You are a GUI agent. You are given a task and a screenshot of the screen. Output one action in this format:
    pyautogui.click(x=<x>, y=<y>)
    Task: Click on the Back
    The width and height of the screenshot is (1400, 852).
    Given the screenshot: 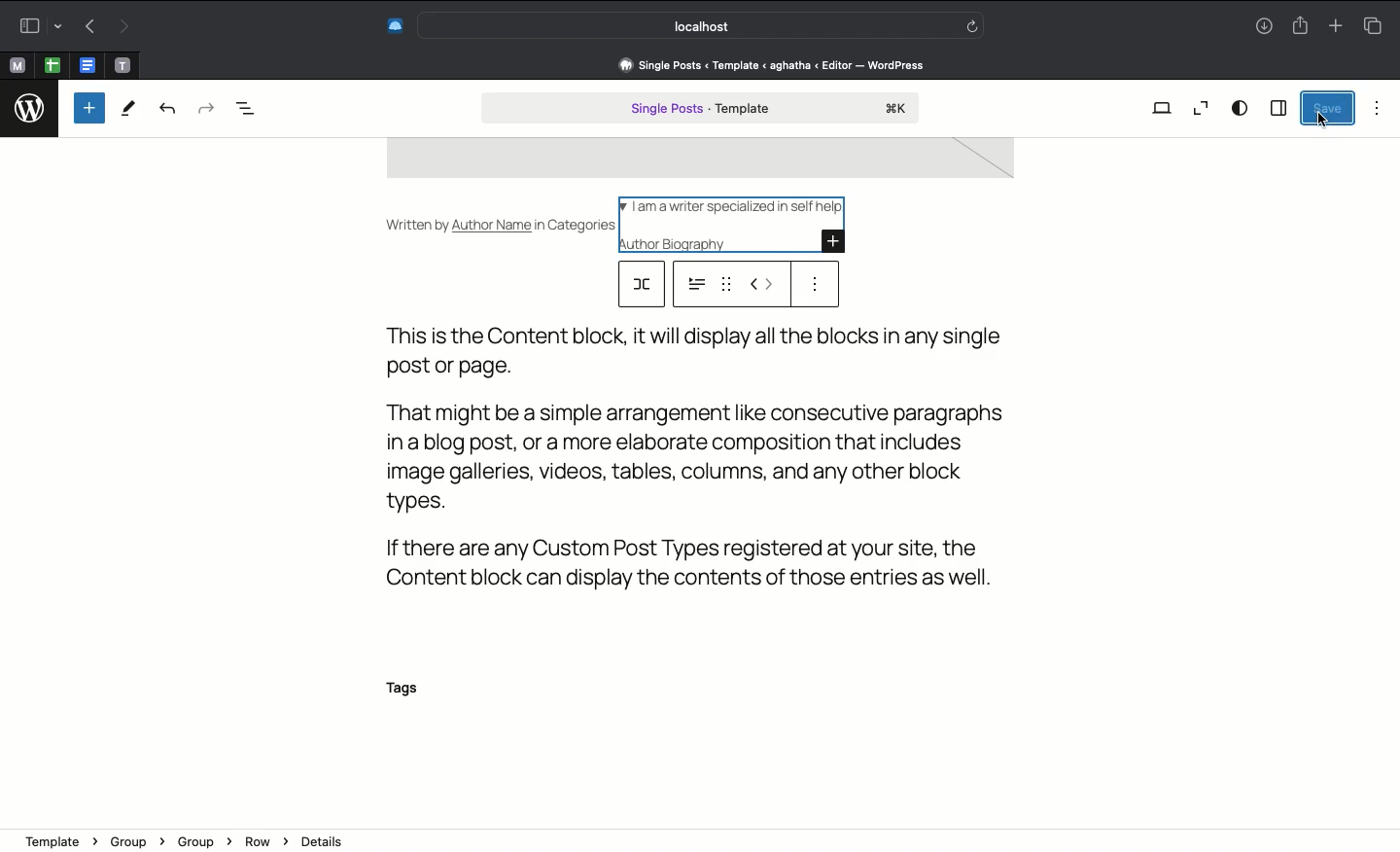 What is the action you would take?
    pyautogui.click(x=89, y=27)
    